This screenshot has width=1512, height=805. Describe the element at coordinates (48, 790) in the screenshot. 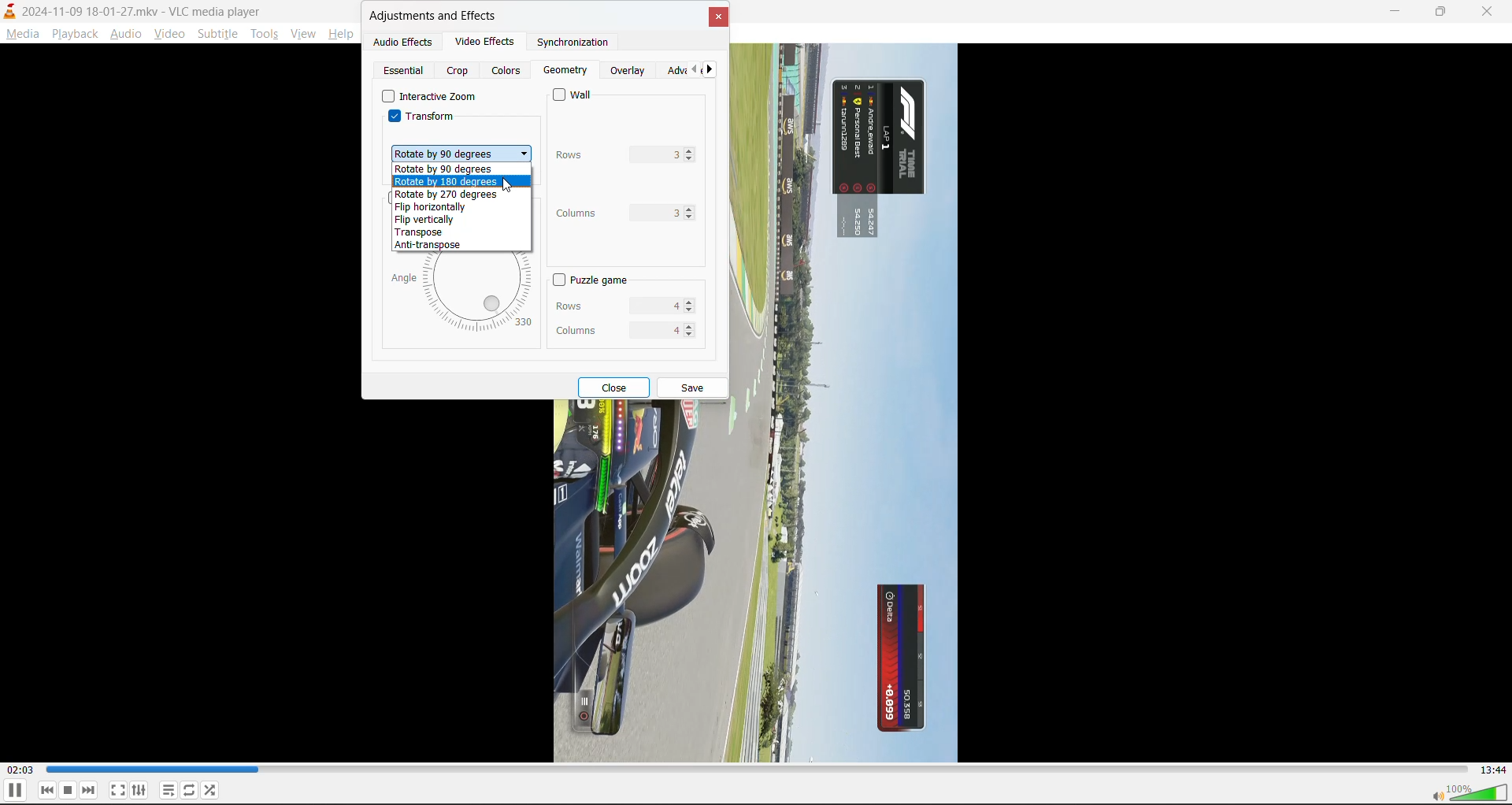

I see `previous` at that location.